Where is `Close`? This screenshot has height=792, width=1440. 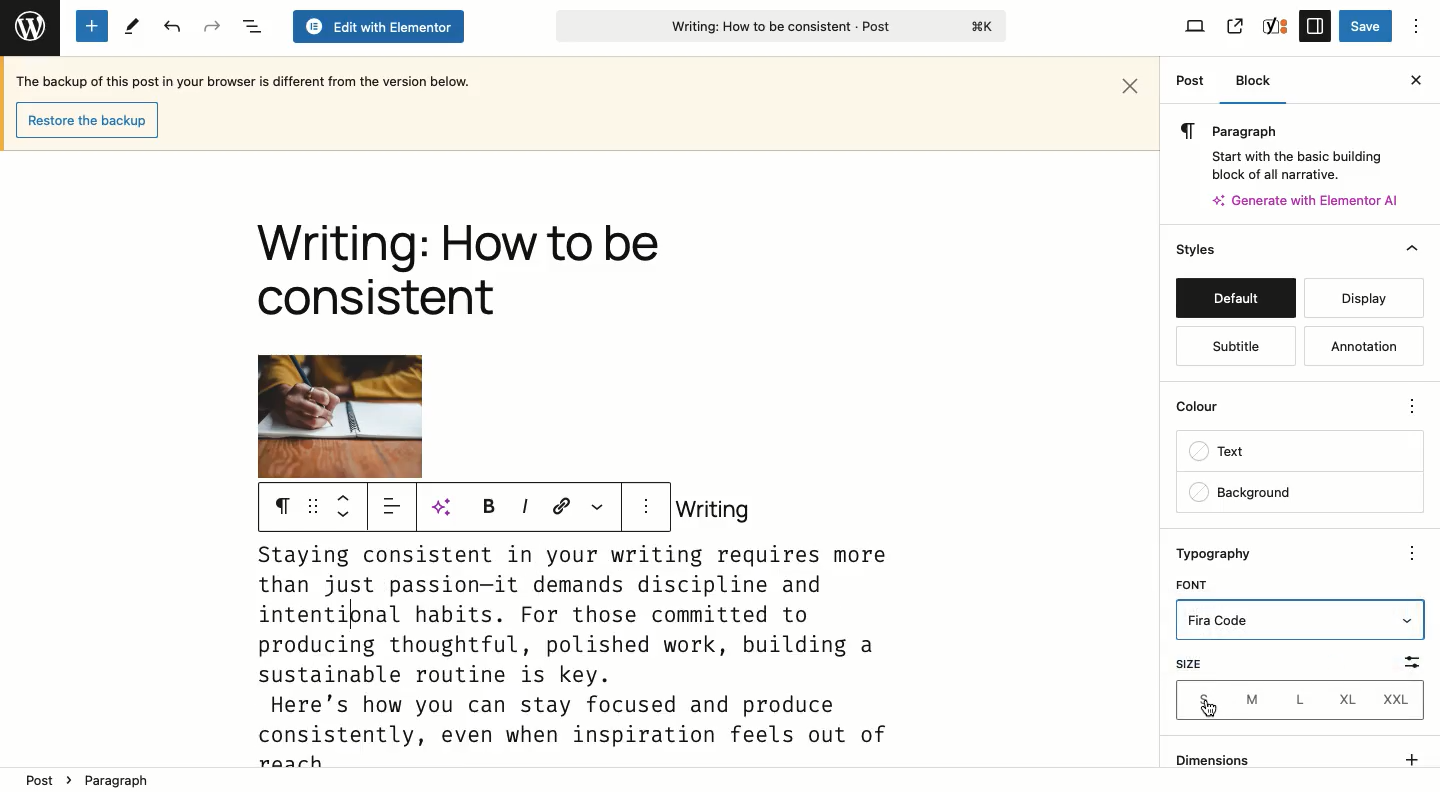
Close is located at coordinates (1412, 80).